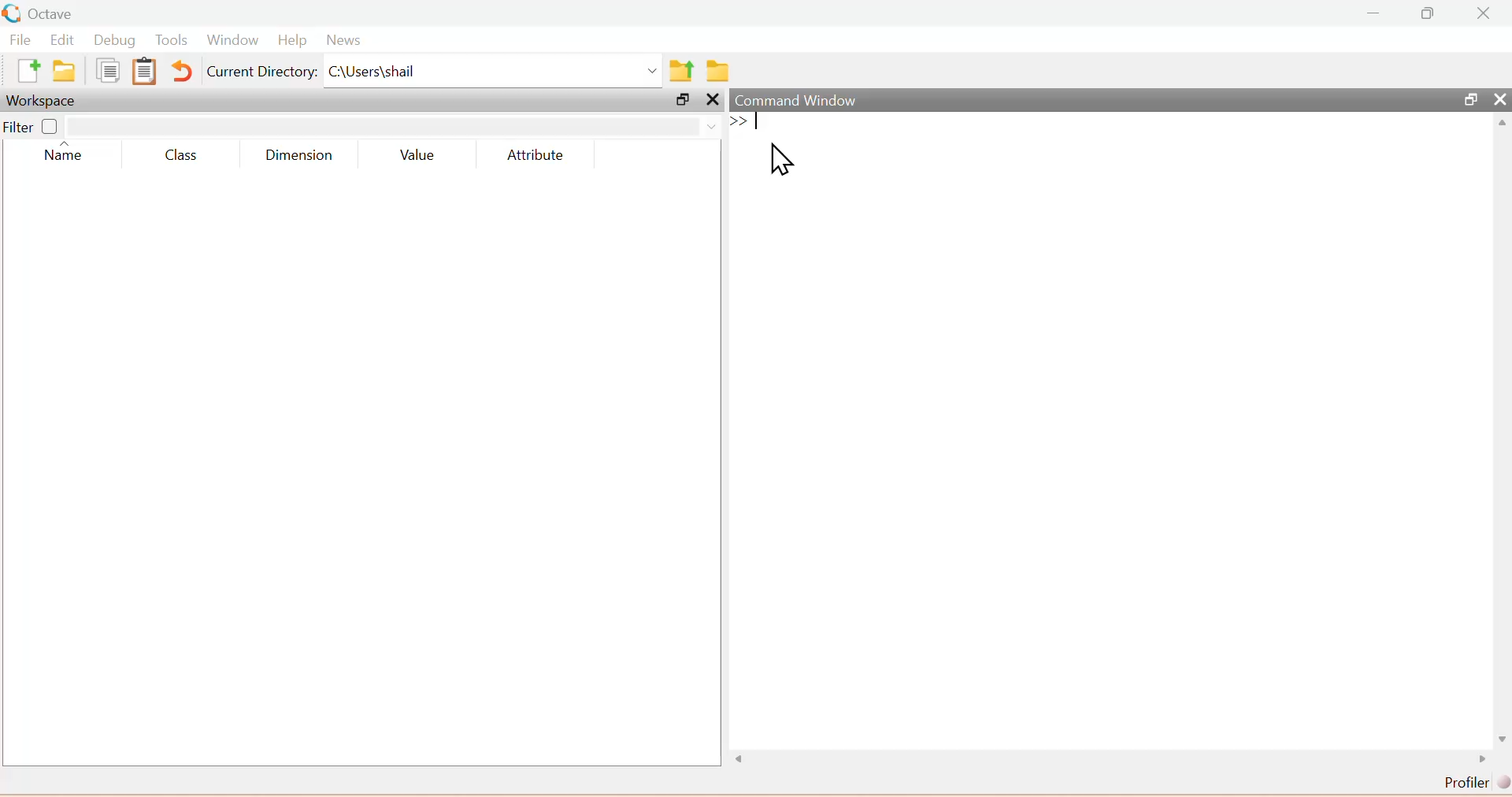  I want to click on Maximize, so click(1468, 99).